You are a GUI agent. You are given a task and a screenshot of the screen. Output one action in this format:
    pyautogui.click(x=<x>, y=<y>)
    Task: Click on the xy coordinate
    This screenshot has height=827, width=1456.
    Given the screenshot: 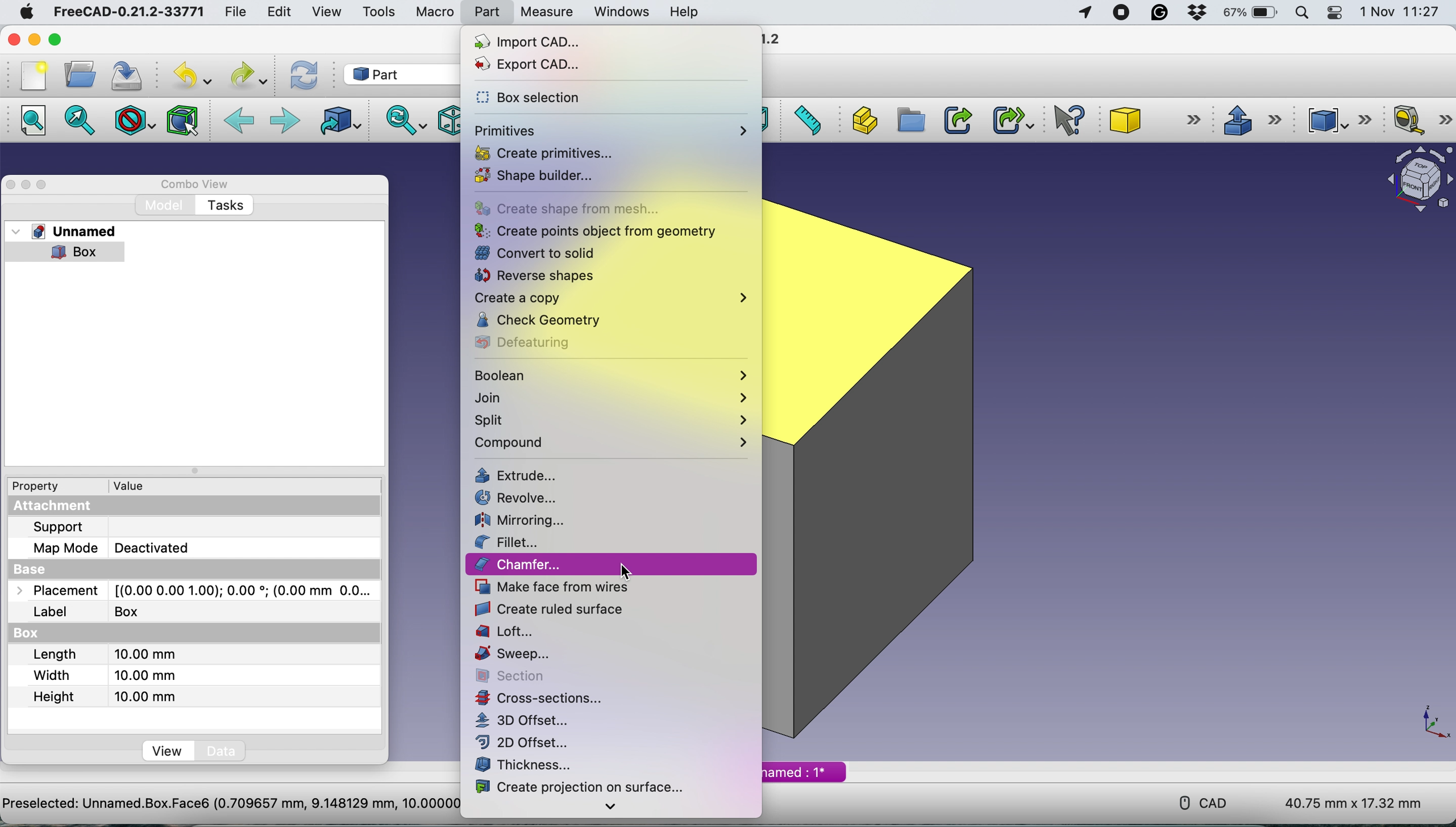 What is the action you would take?
    pyautogui.click(x=1430, y=719)
    